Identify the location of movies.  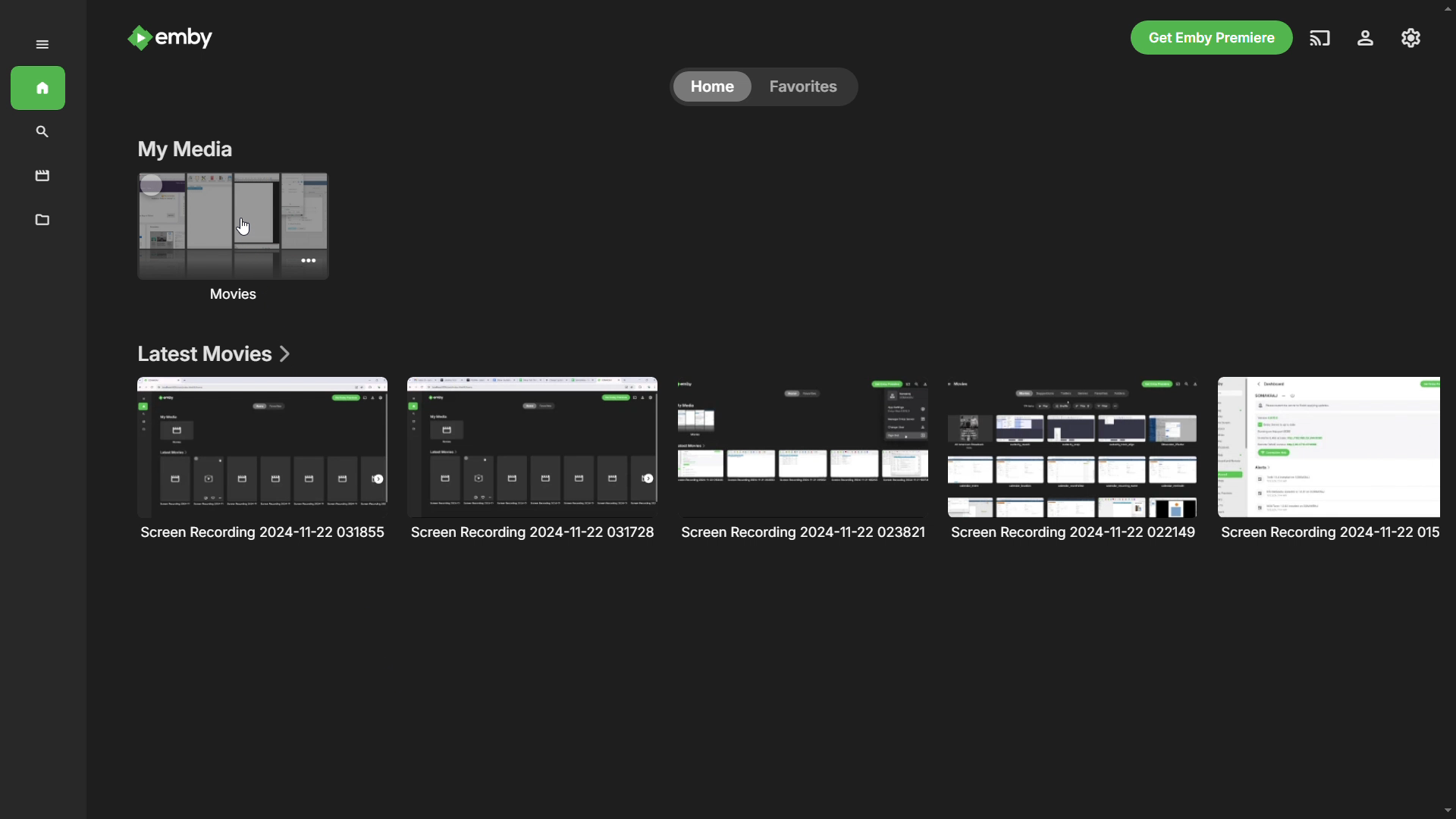
(42, 174).